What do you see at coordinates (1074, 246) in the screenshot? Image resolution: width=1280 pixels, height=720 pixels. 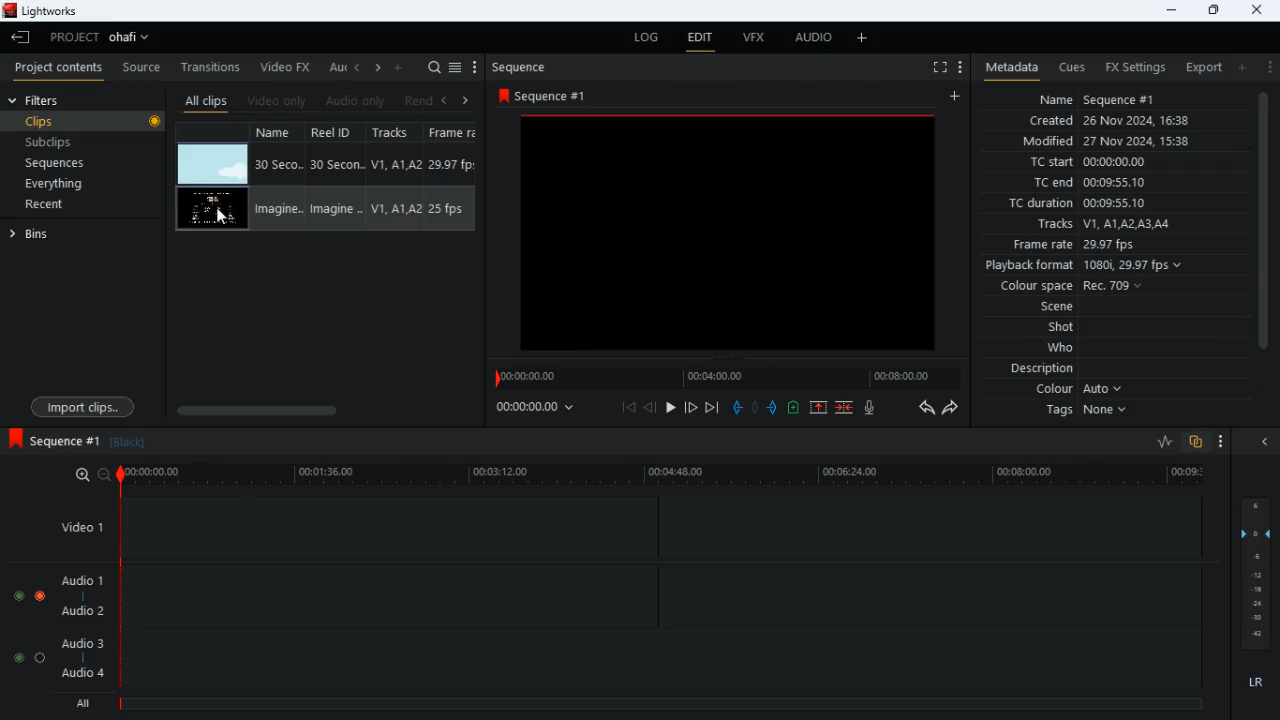 I see `frame rate` at bounding box center [1074, 246].